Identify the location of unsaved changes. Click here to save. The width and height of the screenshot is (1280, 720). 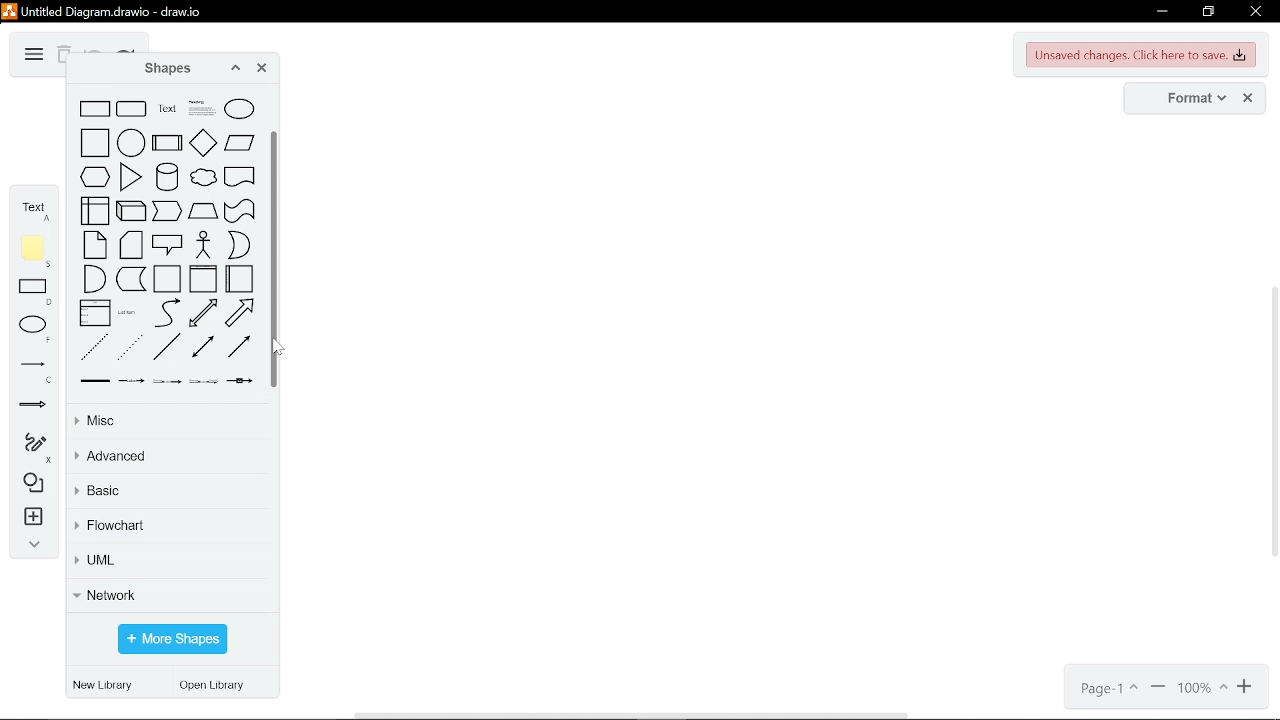
(1142, 55).